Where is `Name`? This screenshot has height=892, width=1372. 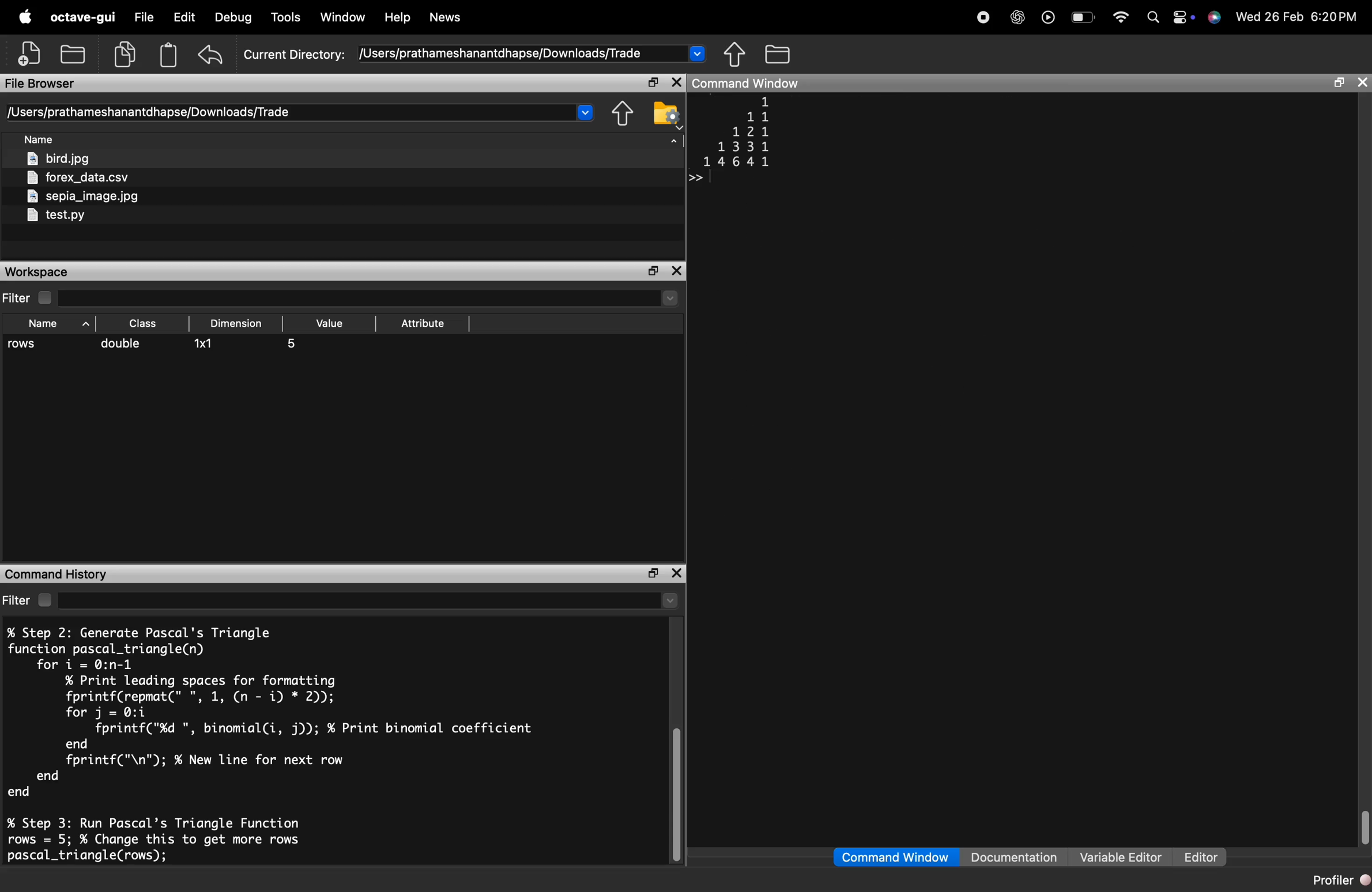
Name is located at coordinates (41, 140).